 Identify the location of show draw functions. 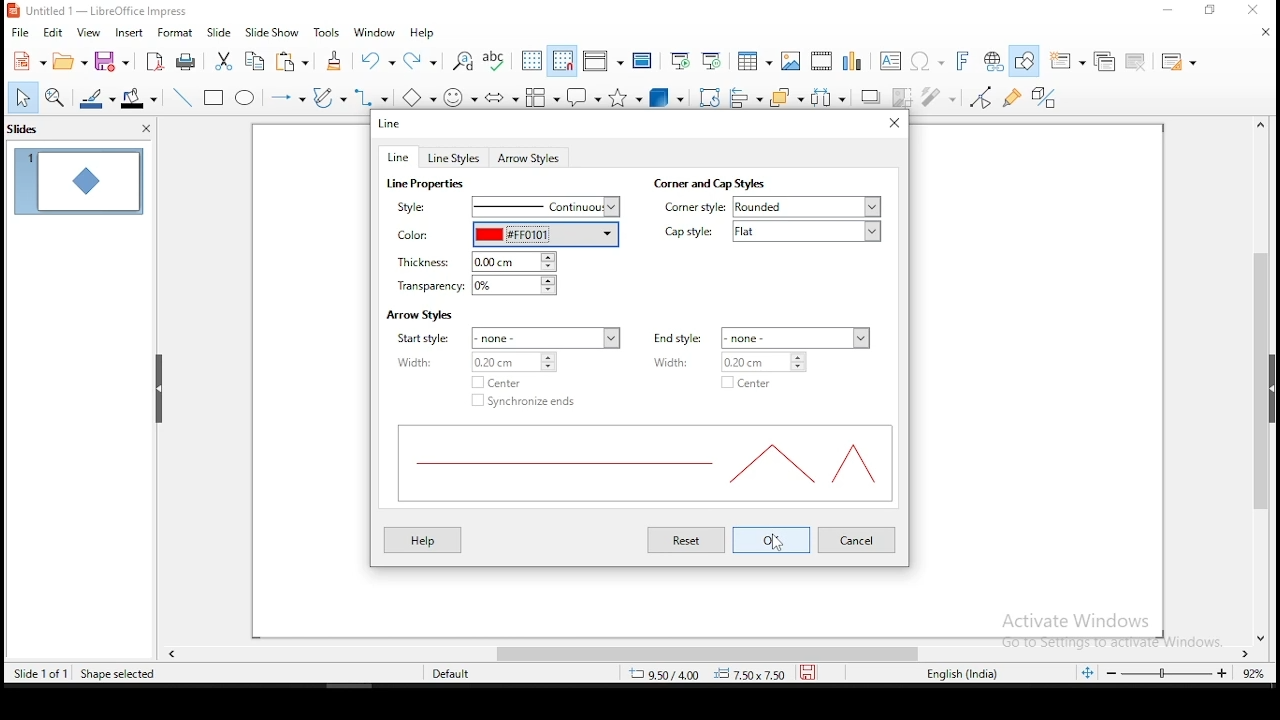
(1026, 60).